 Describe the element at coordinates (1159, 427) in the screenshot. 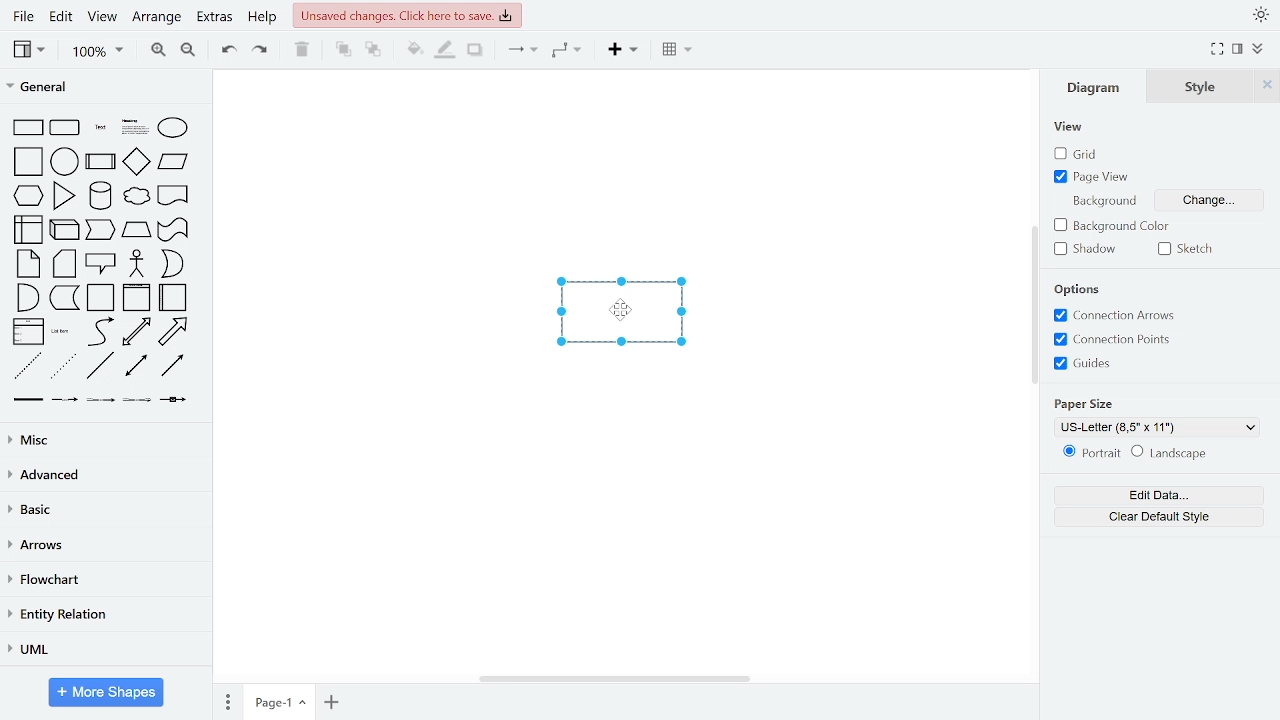

I see `US-Letter (8,5" x 11")` at that location.